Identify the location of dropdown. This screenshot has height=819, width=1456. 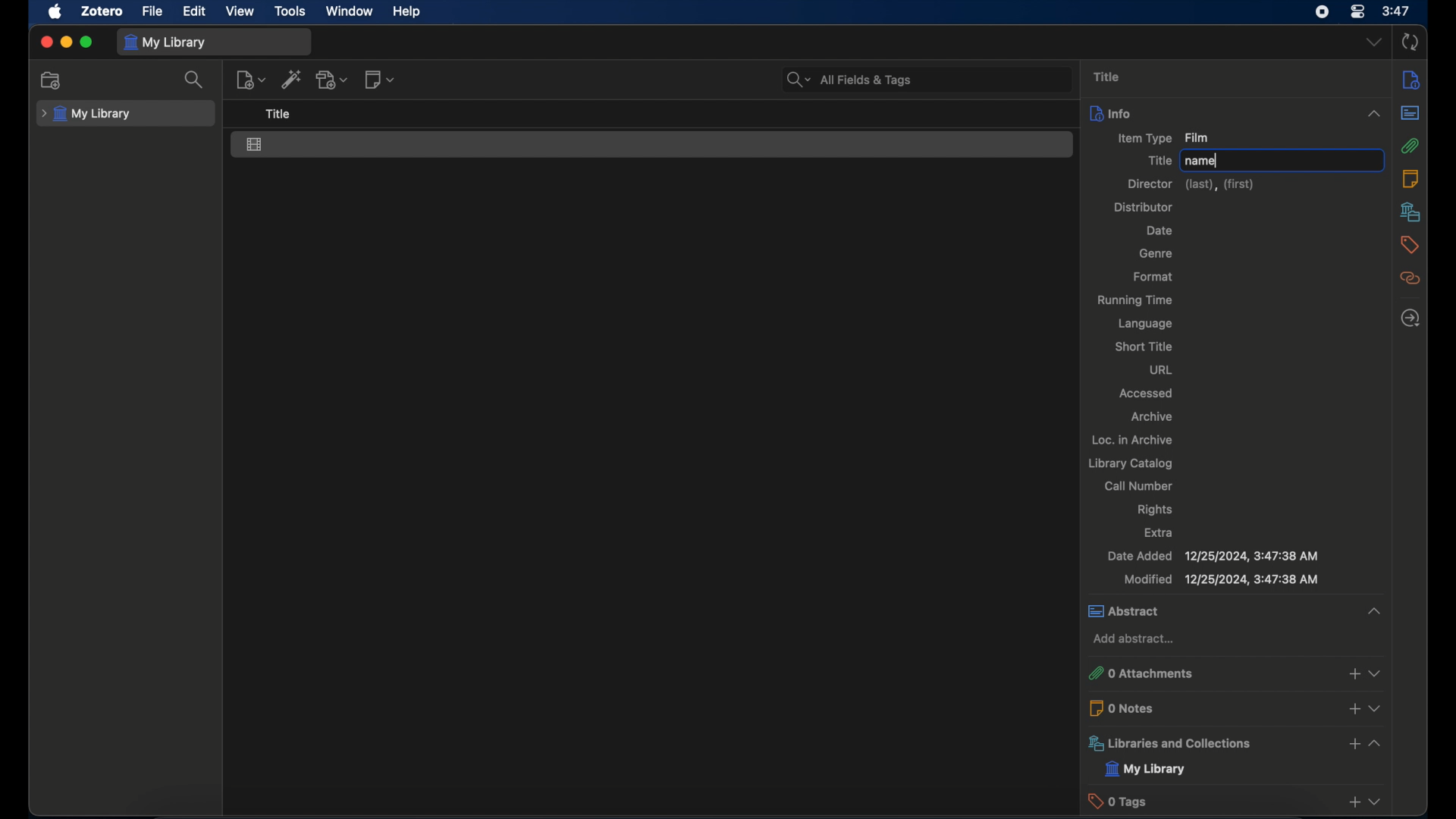
(1379, 672).